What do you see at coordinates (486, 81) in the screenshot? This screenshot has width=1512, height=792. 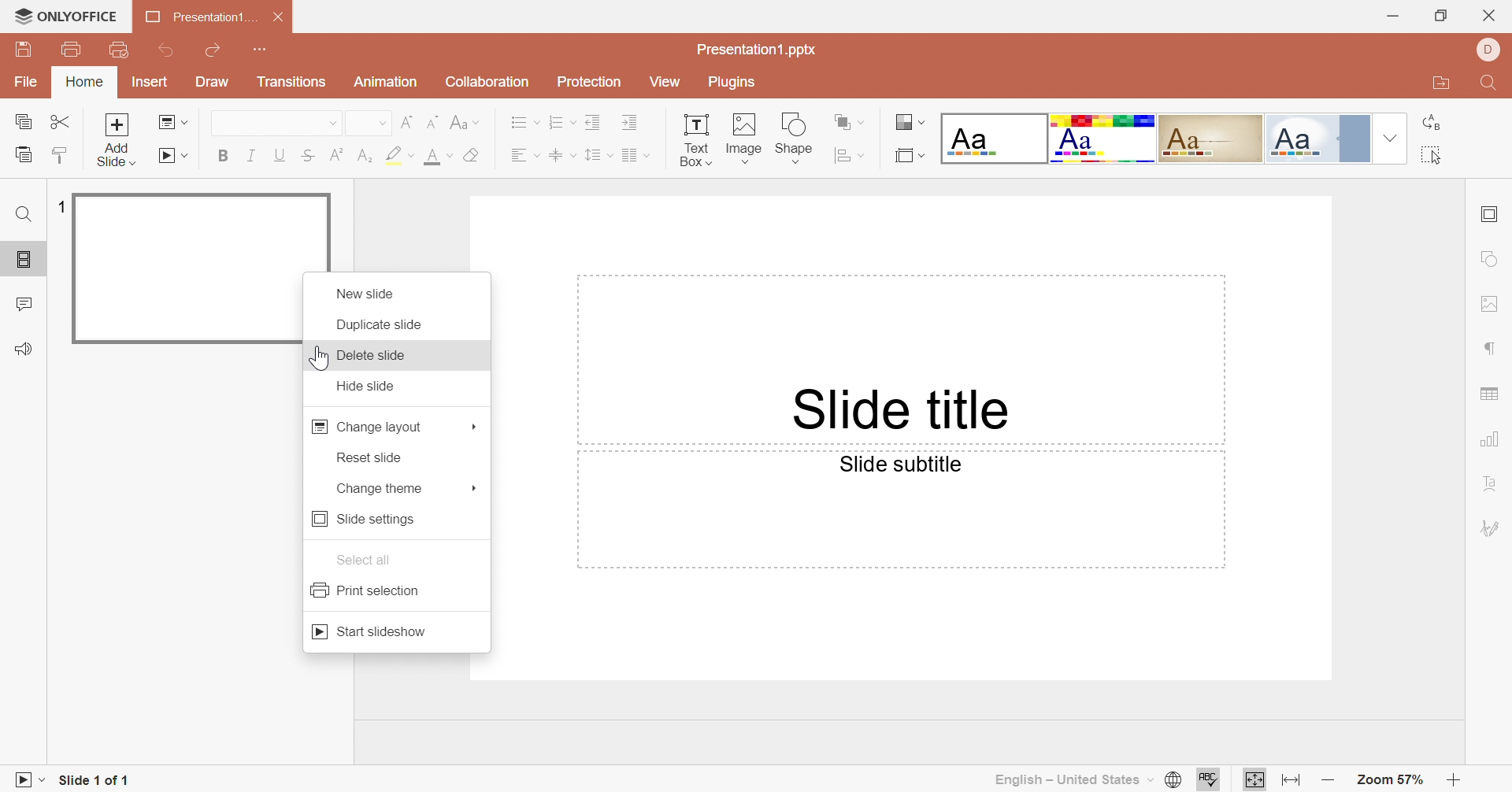 I see `Collection` at bounding box center [486, 81].